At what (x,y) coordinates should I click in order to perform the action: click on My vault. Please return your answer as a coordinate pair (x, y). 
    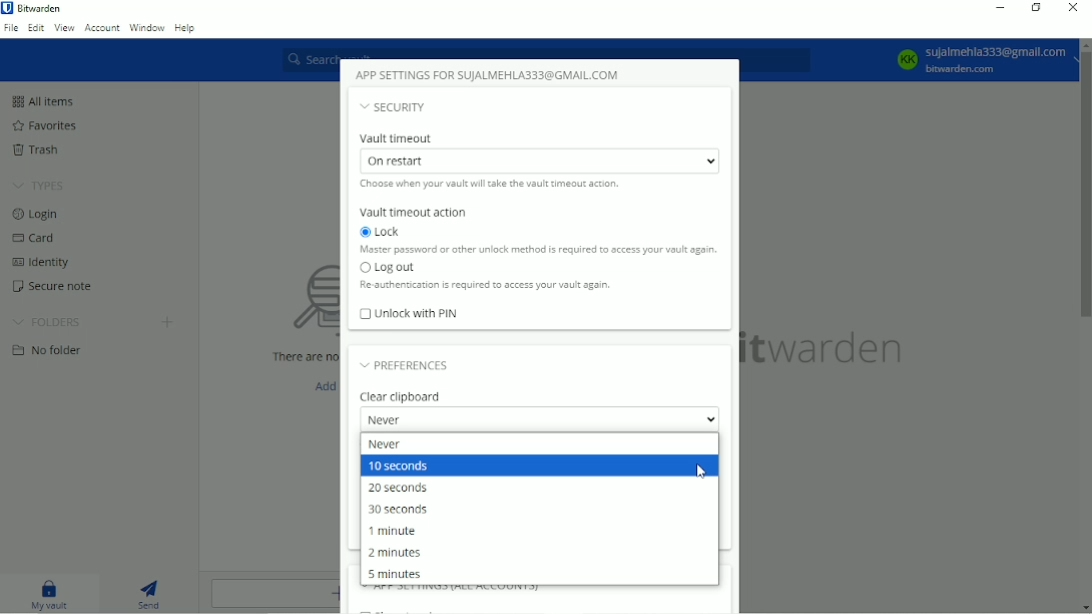
    Looking at the image, I should click on (47, 593).